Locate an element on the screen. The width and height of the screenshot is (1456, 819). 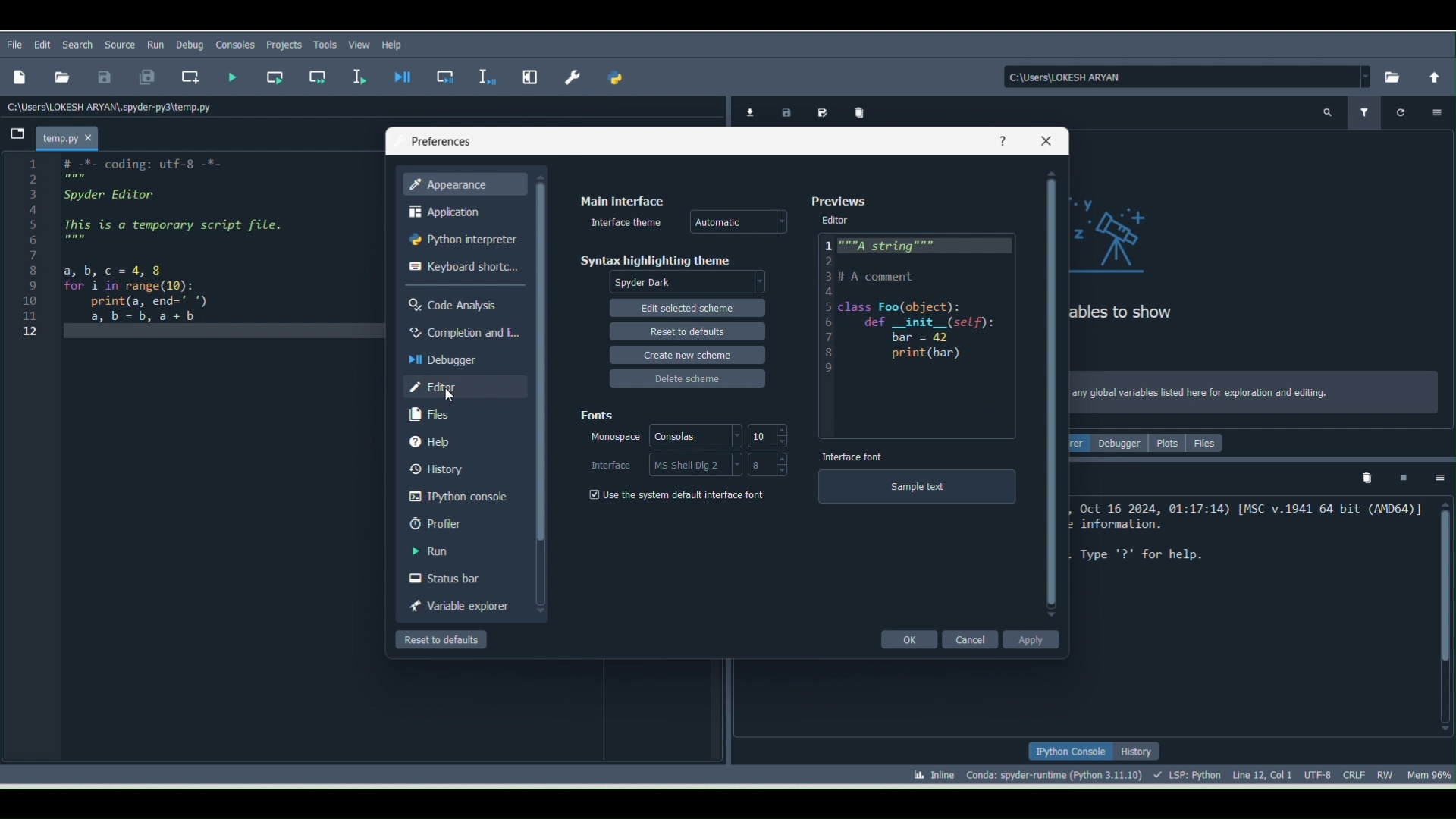
Debug file (Ctrl + F5) is located at coordinates (406, 77).